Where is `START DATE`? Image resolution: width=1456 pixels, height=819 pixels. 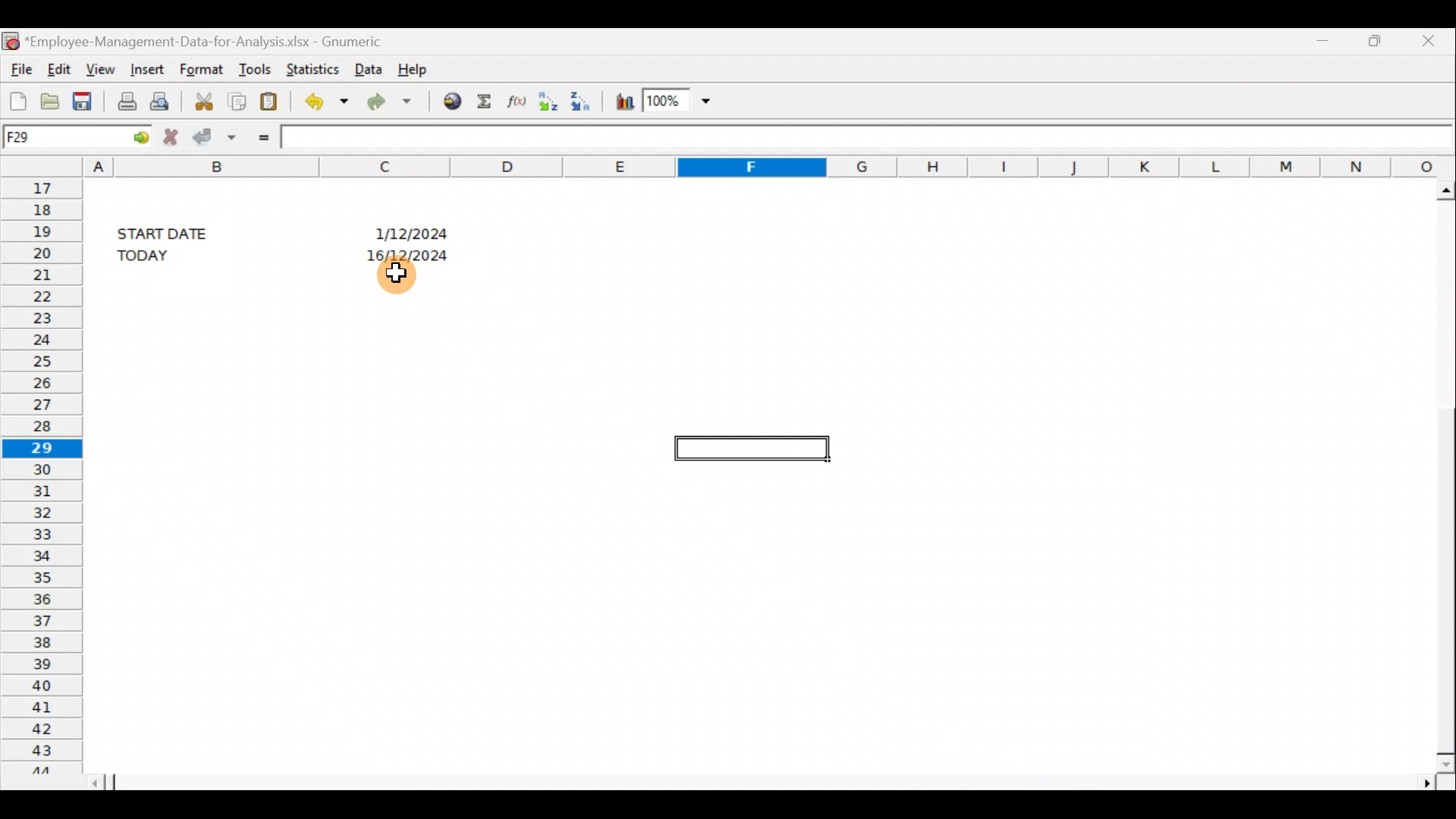 START DATE is located at coordinates (171, 231).